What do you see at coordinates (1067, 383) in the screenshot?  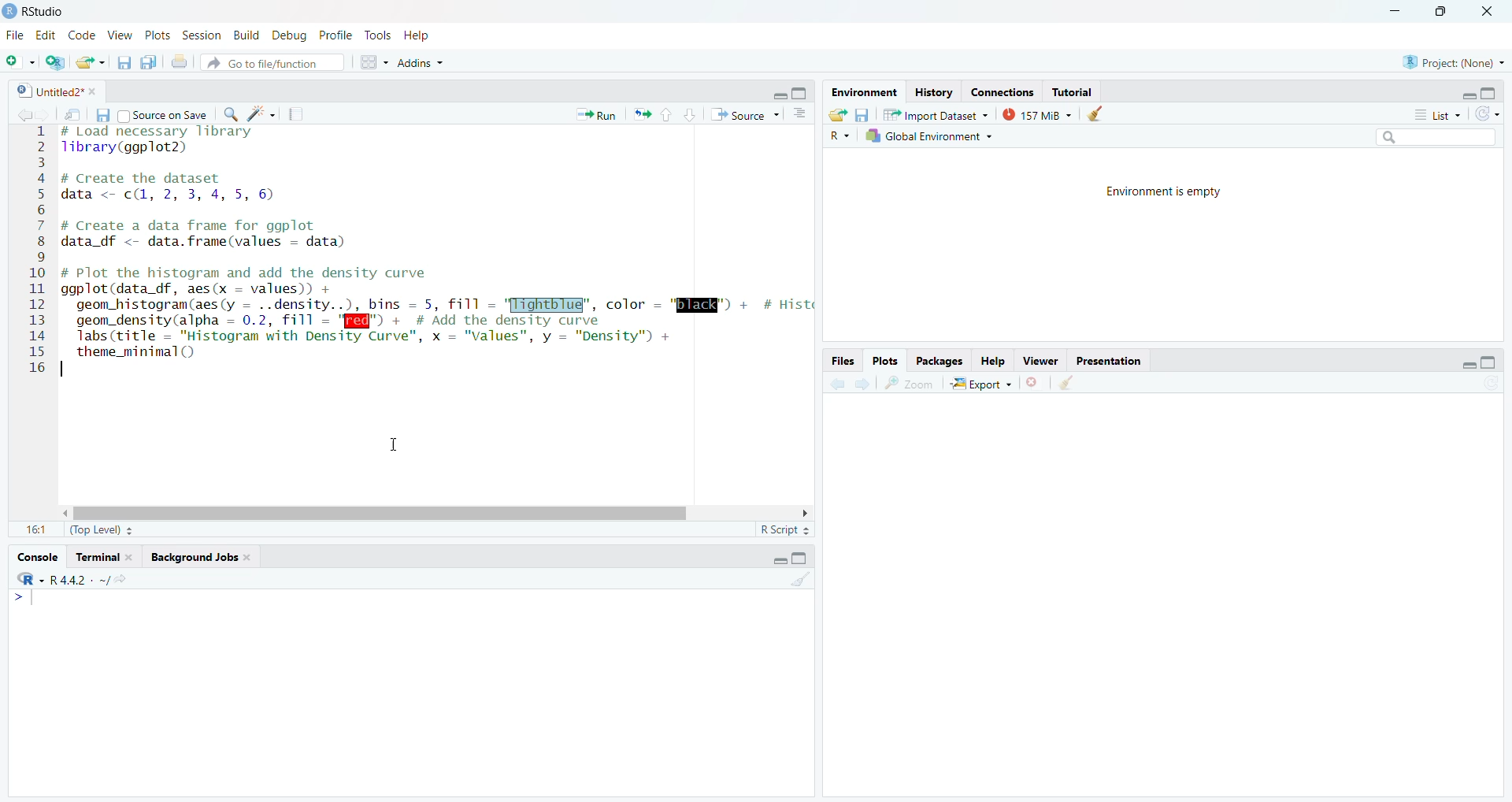 I see `clear all plots` at bounding box center [1067, 383].